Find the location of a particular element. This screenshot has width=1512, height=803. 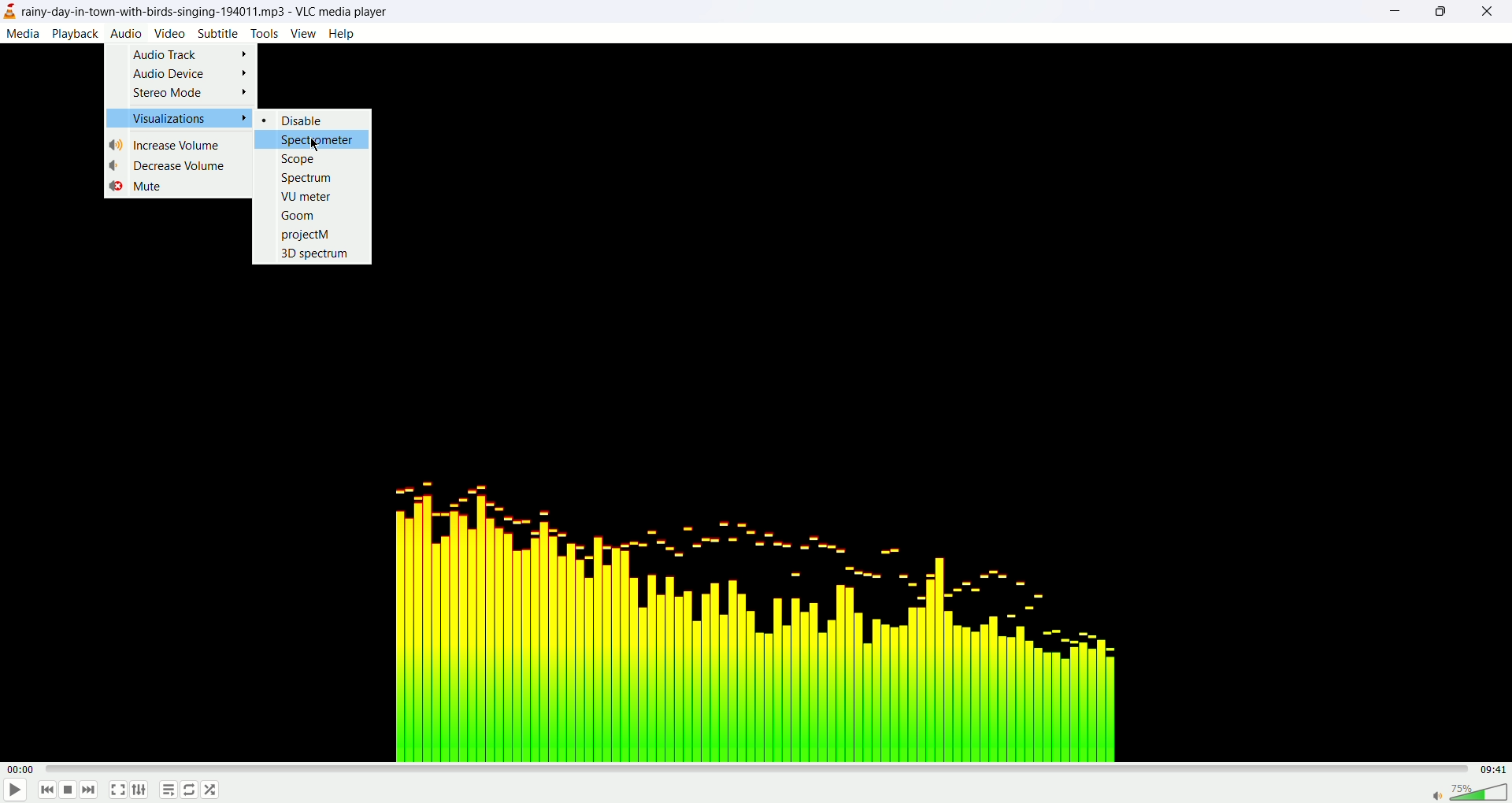

help is located at coordinates (343, 34).